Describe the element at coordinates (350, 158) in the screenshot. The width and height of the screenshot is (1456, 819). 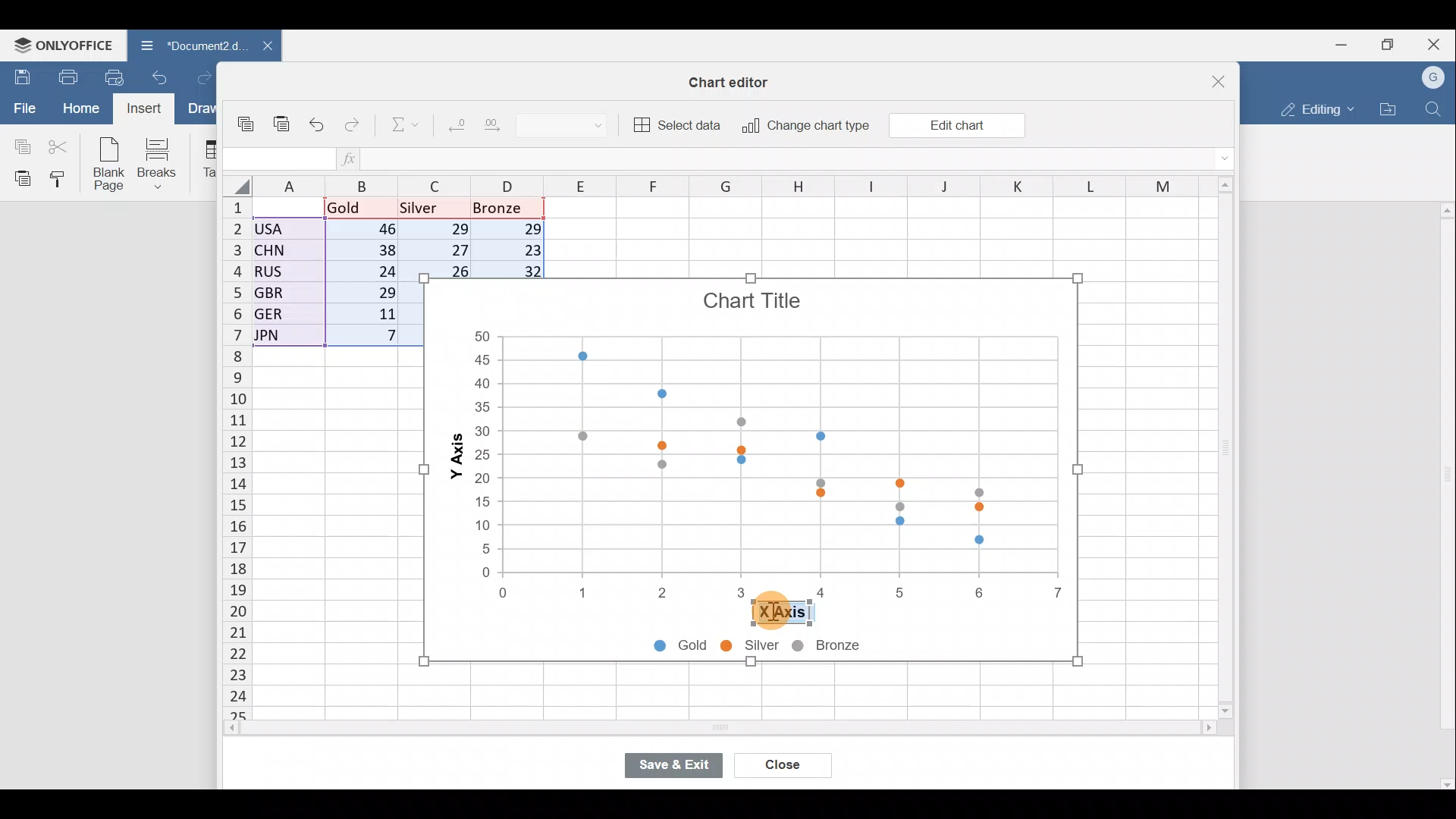
I see `Insert function` at that location.